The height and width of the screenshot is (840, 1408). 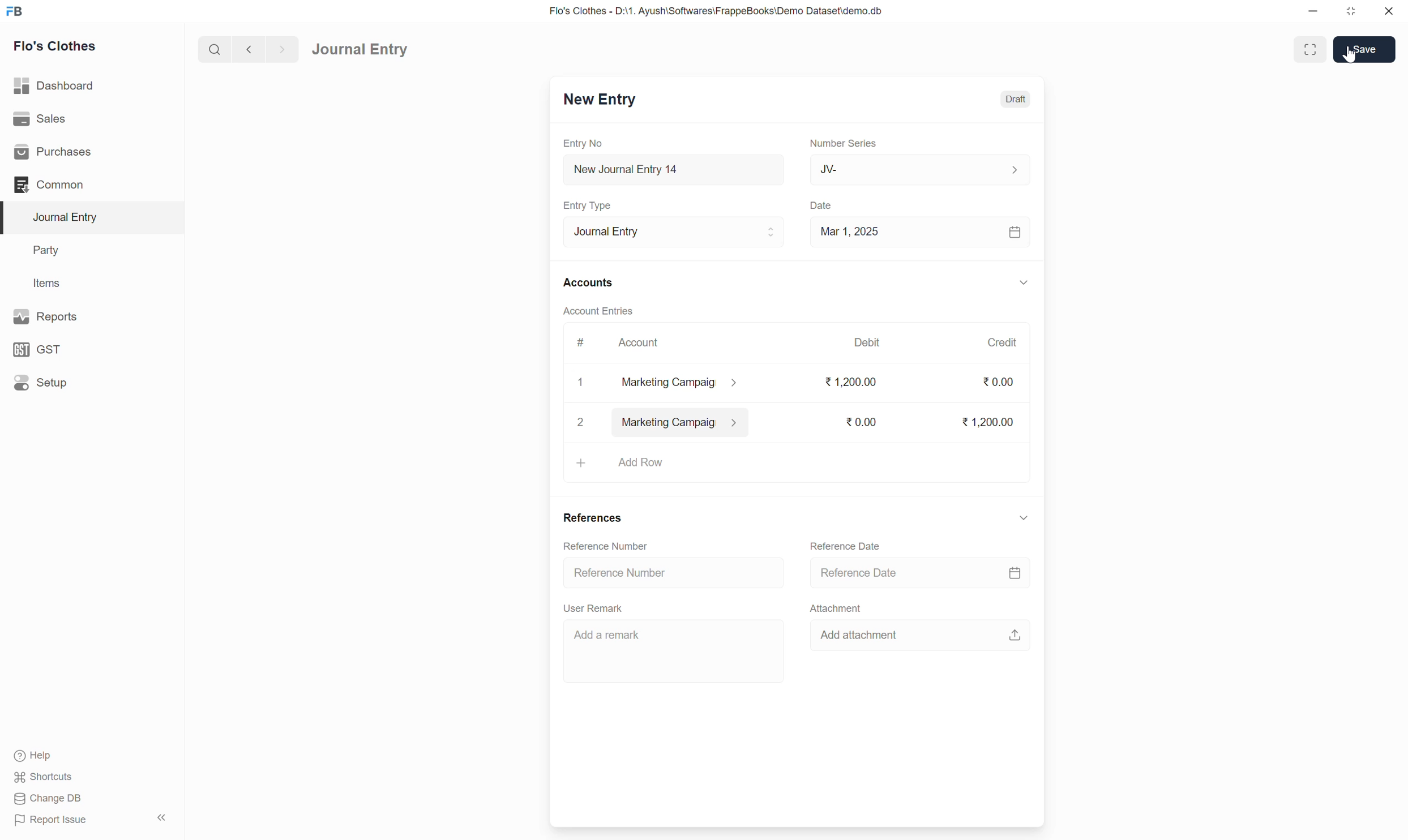 I want to click on Reference Date, so click(x=848, y=547).